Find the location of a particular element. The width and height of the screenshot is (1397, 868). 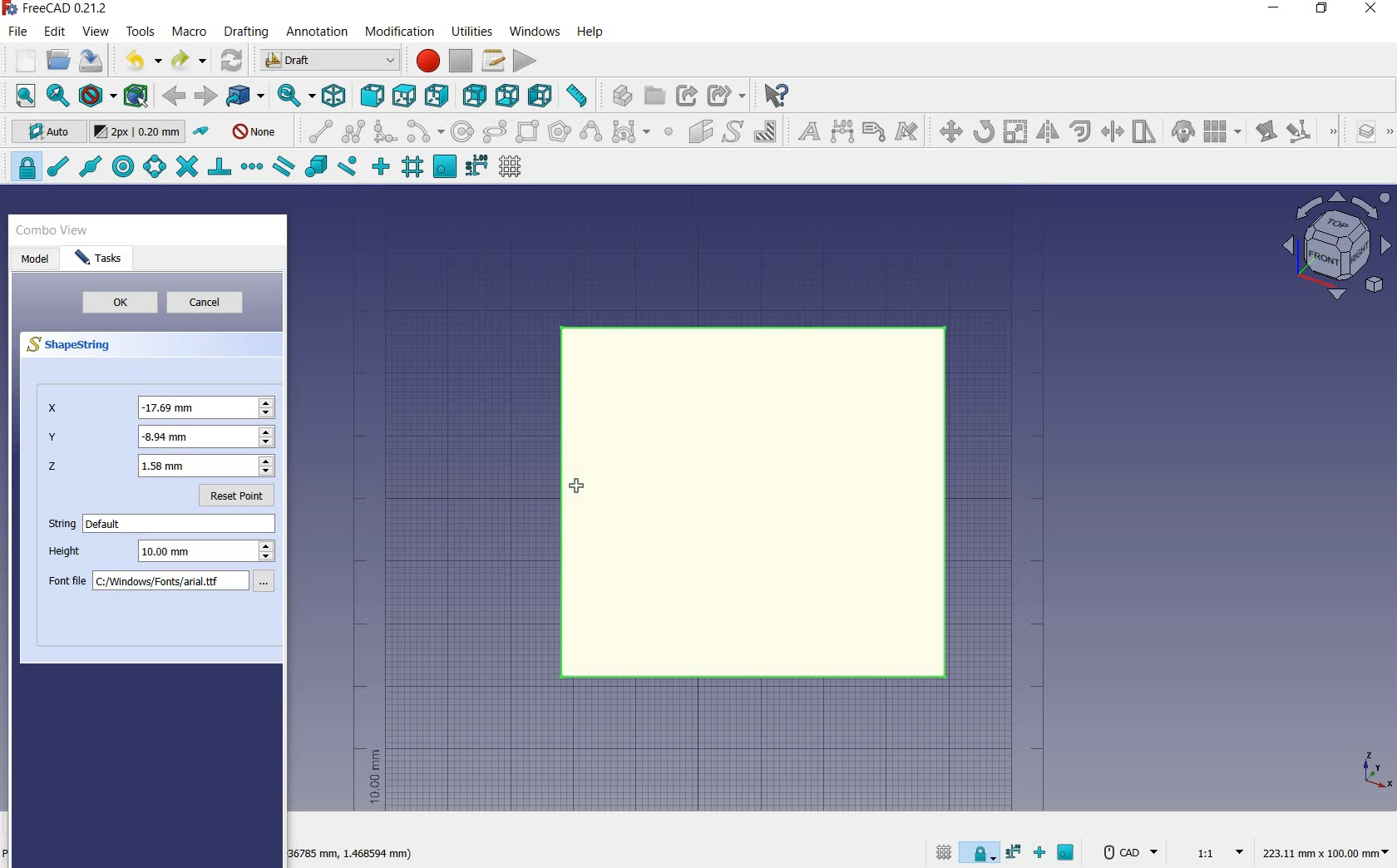

point is located at coordinates (668, 133).